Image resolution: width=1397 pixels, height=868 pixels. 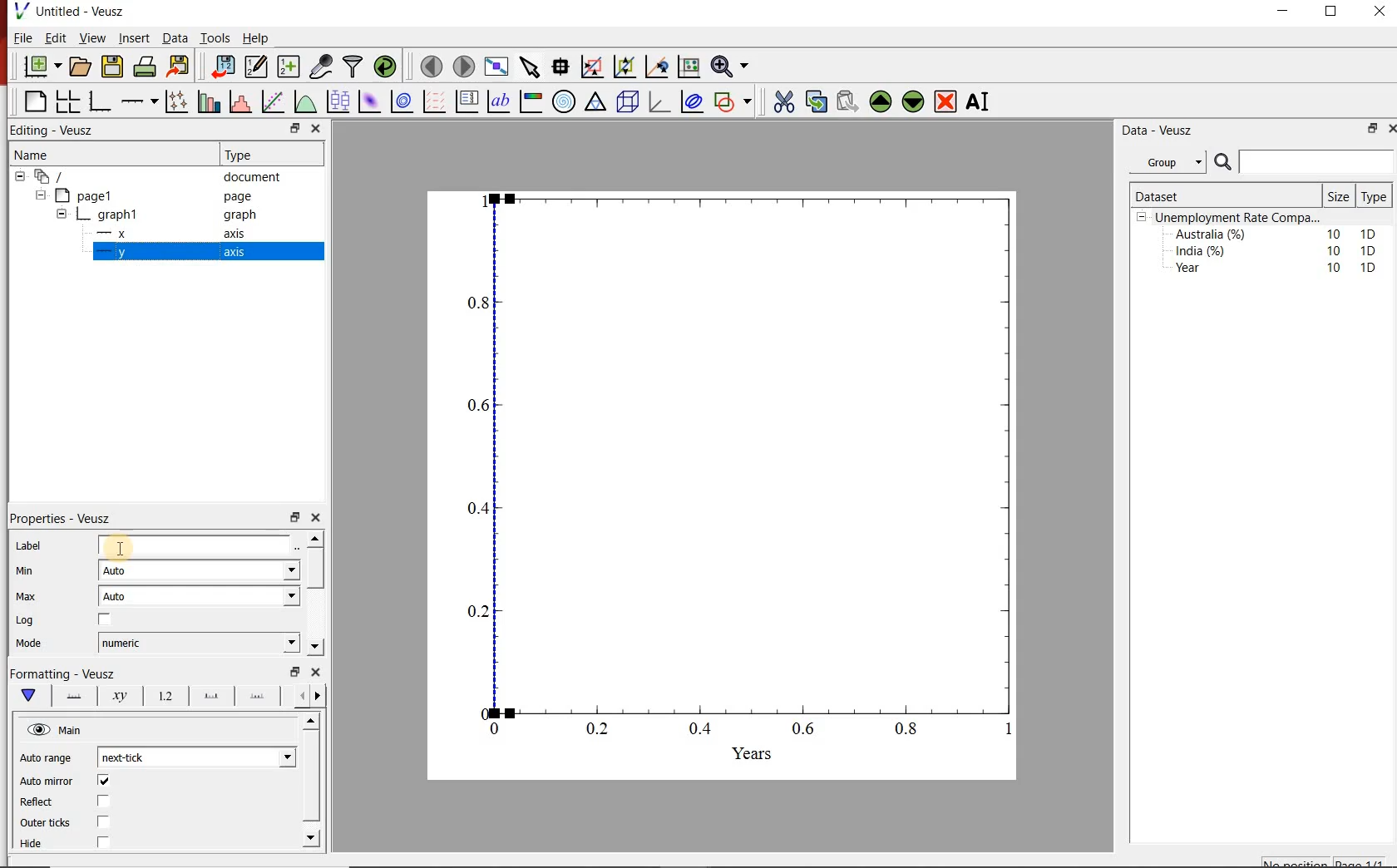 What do you see at coordinates (595, 101) in the screenshot?
I see `ternary graph` at bounding box center [595, 101].